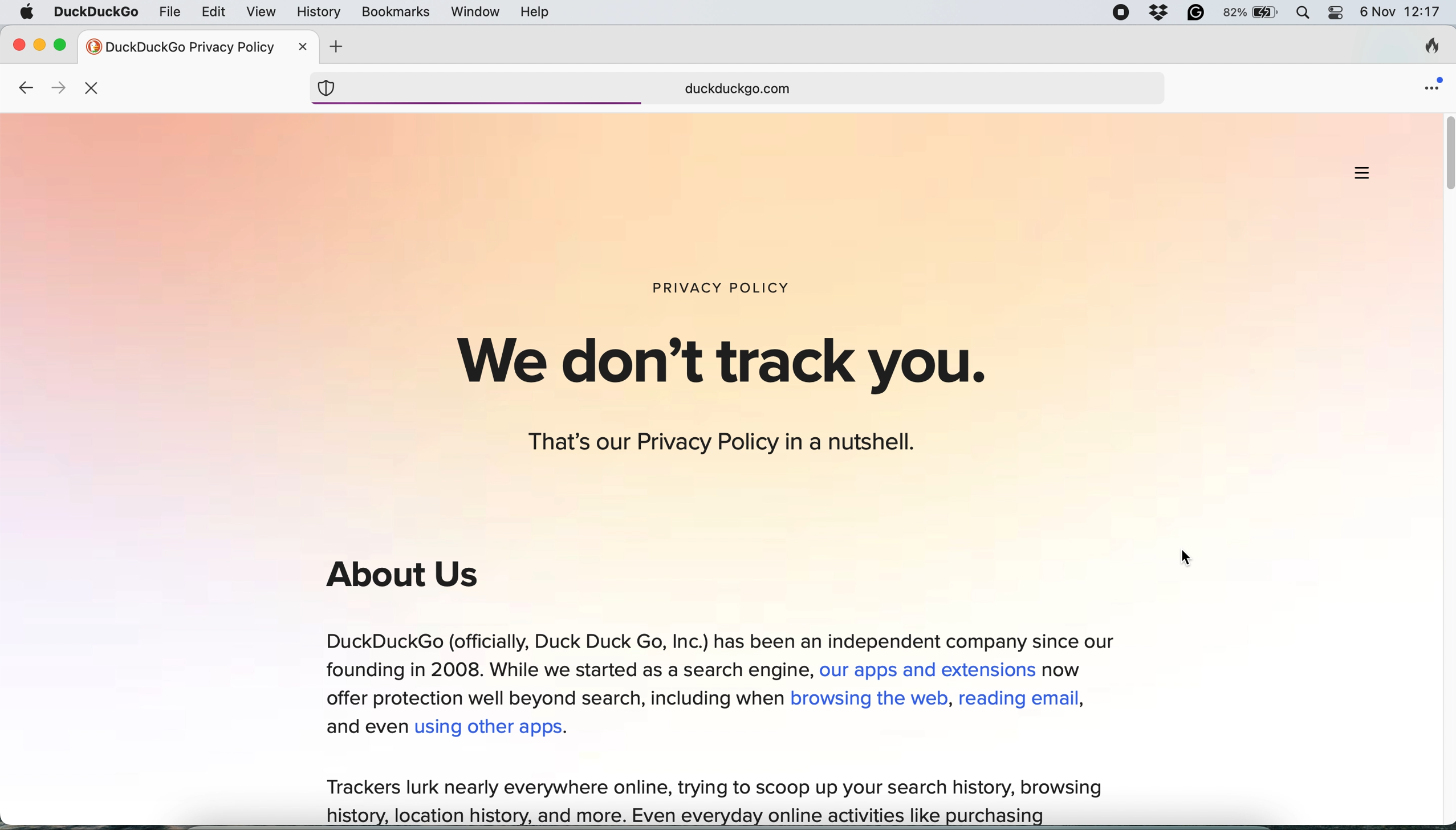  What do you see at coordinates (475, 11) in the screenshot?
I see `window` at bounding box center [475, 11].